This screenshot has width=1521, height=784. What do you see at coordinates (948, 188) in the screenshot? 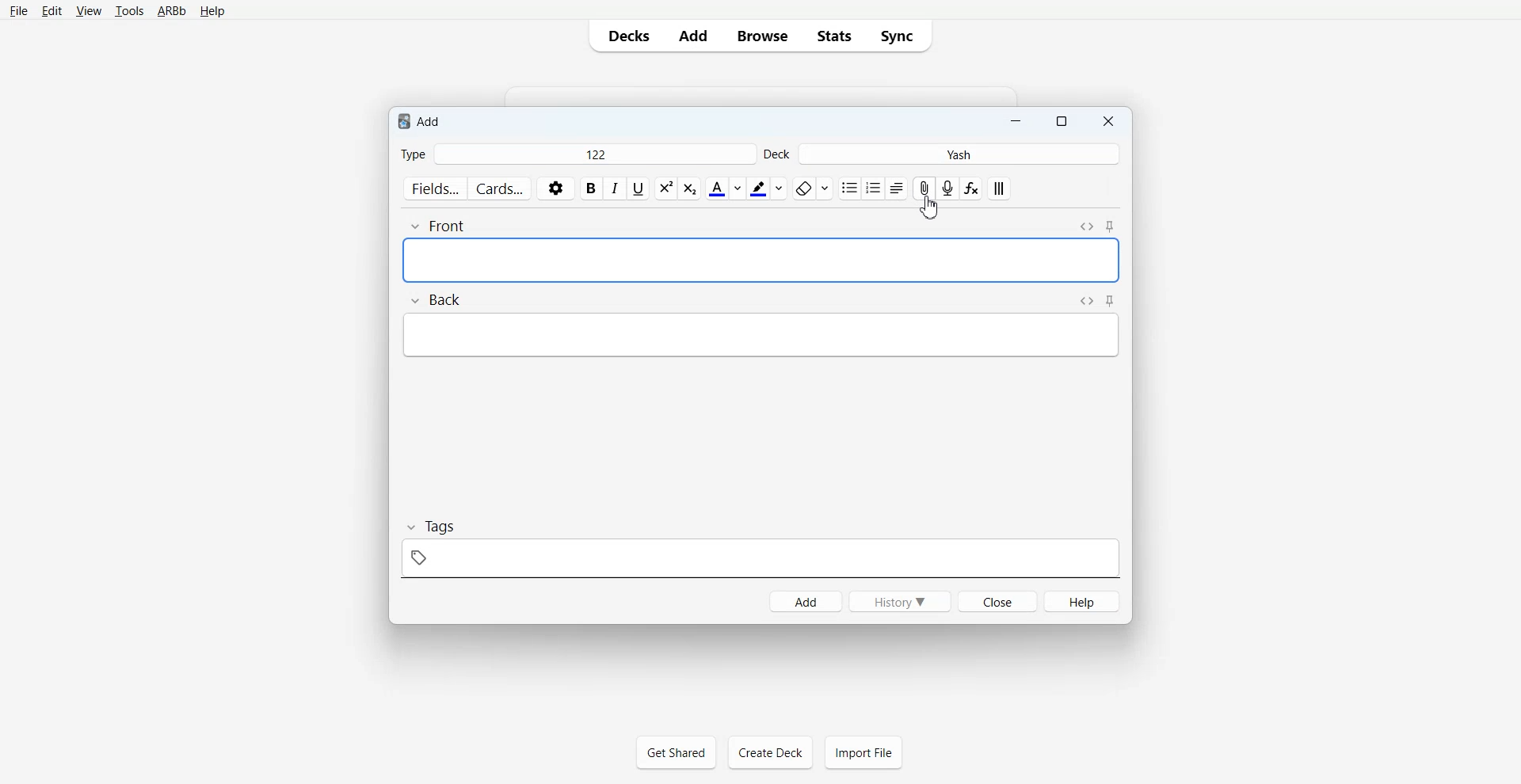
I see `Record Audio` at bounding box center [948, 188].